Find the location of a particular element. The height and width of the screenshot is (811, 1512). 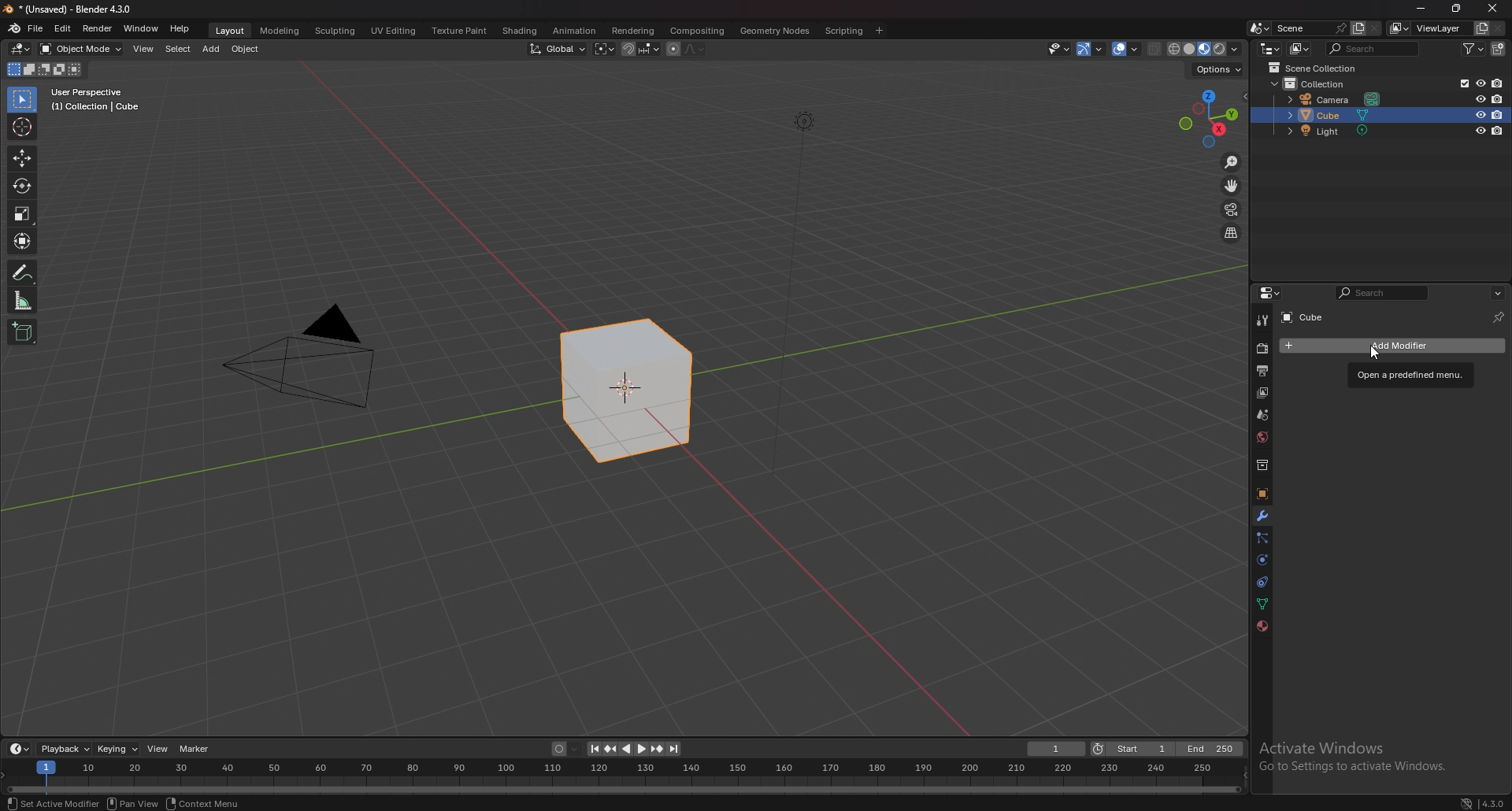

hide in viewport is located at coordinates (1479, 130).